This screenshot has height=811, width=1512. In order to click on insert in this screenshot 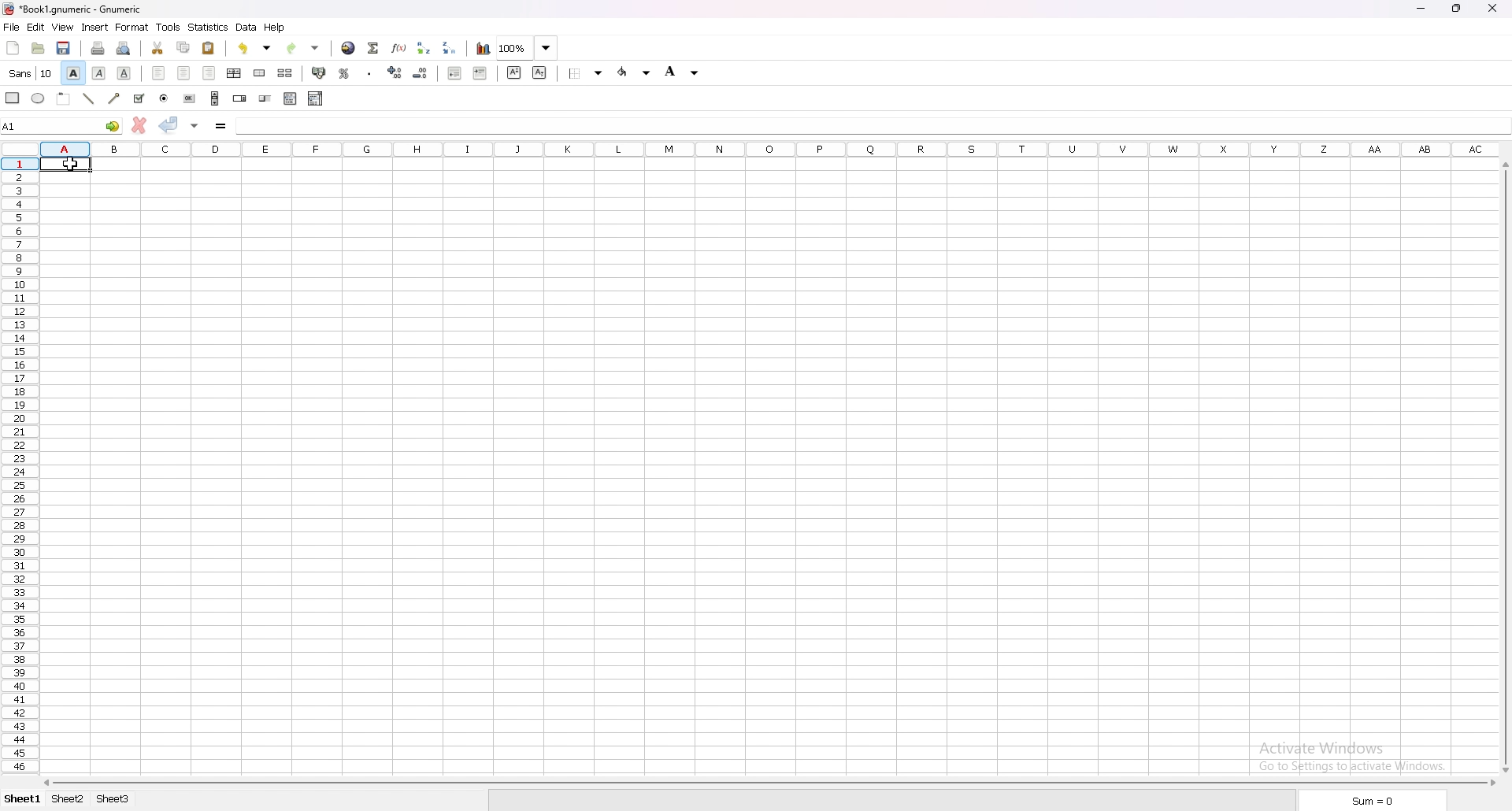, I will do `click(96, 26)`.